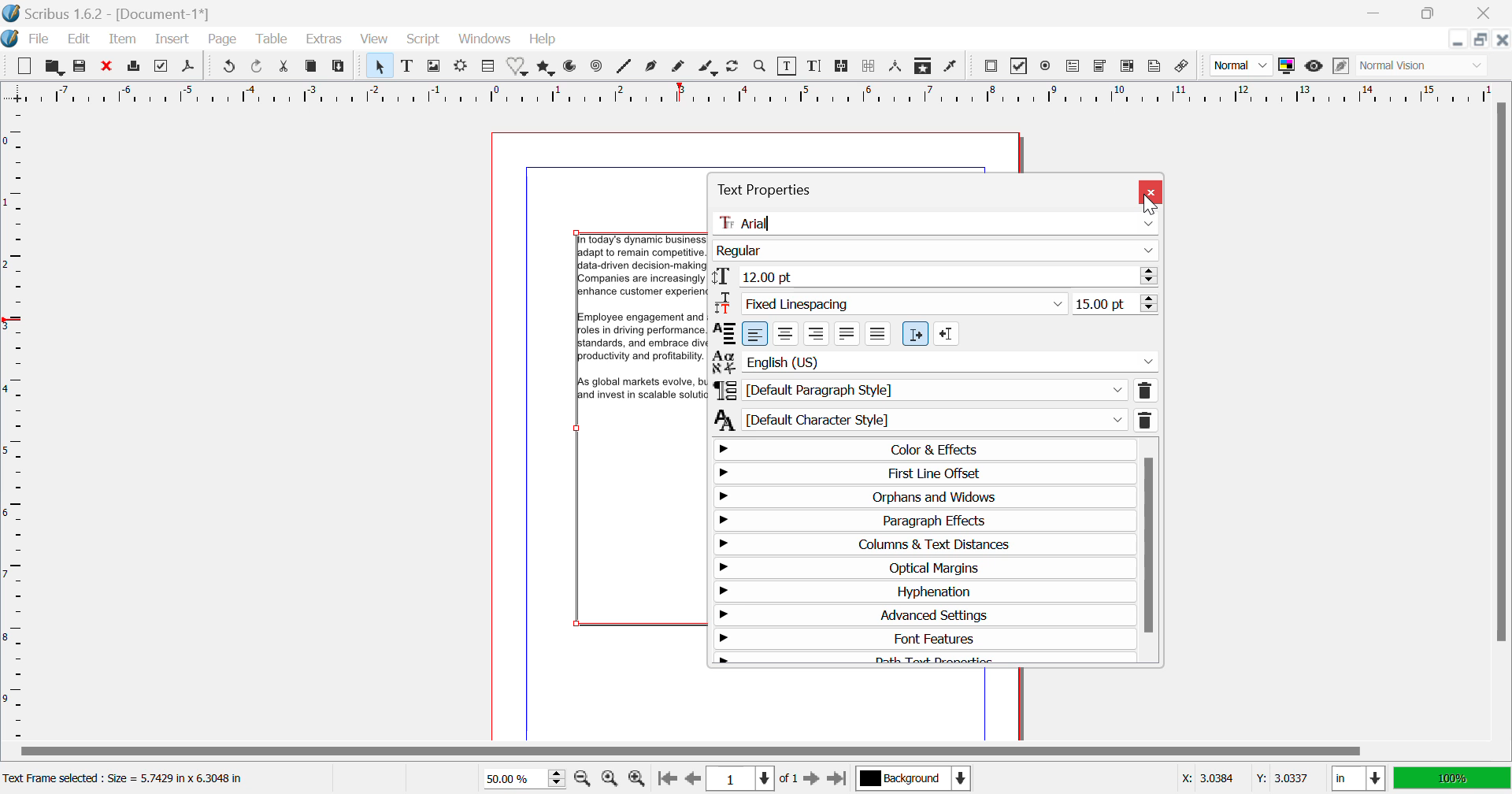 The height and width of the screenshot is (794, 1512). Describe the element at coordinates (1045, 66) in the screenshot. I see `Pdf Radio Button` at that location.